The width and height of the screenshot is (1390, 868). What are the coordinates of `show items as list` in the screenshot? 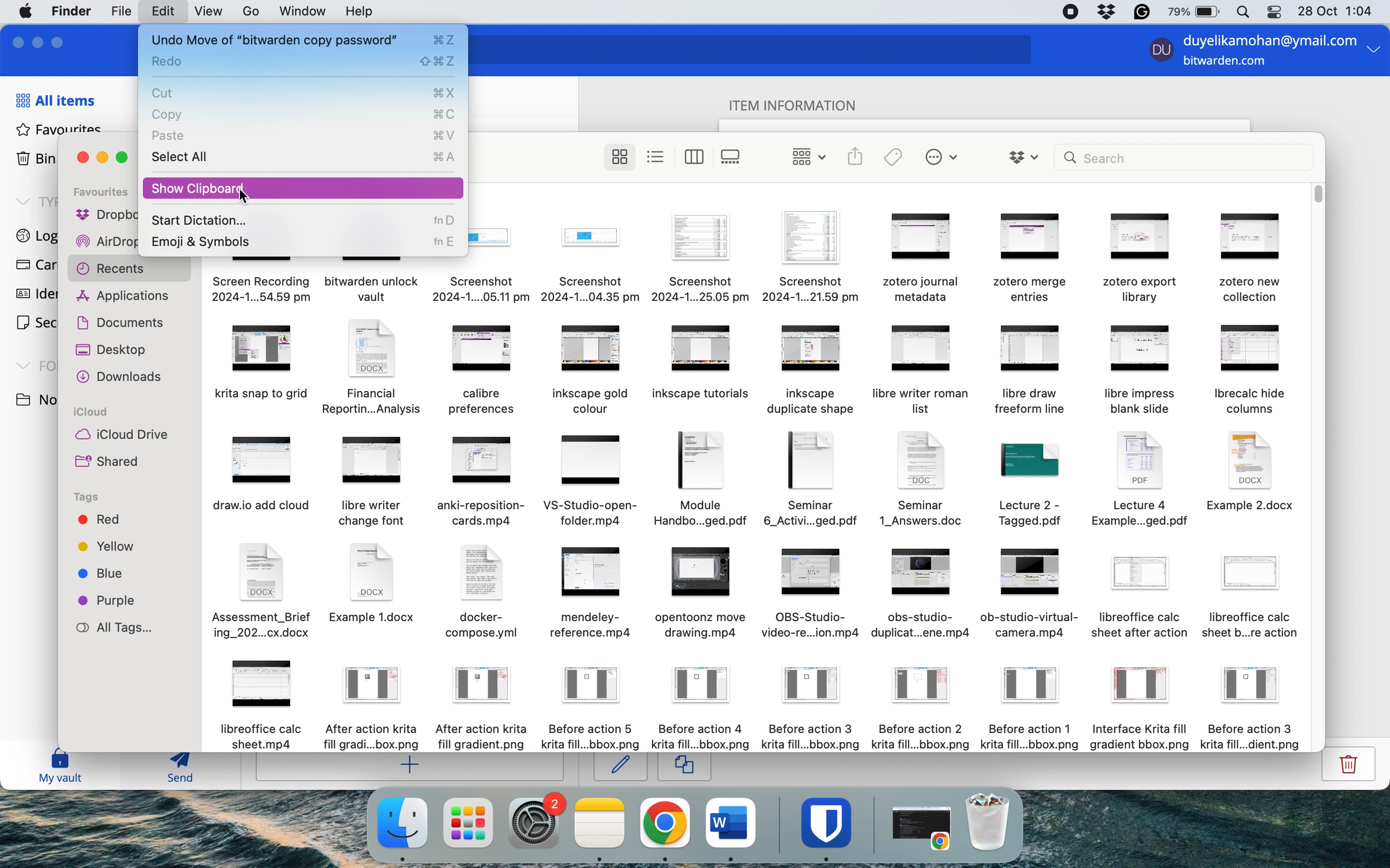 It's located at (657, 156).